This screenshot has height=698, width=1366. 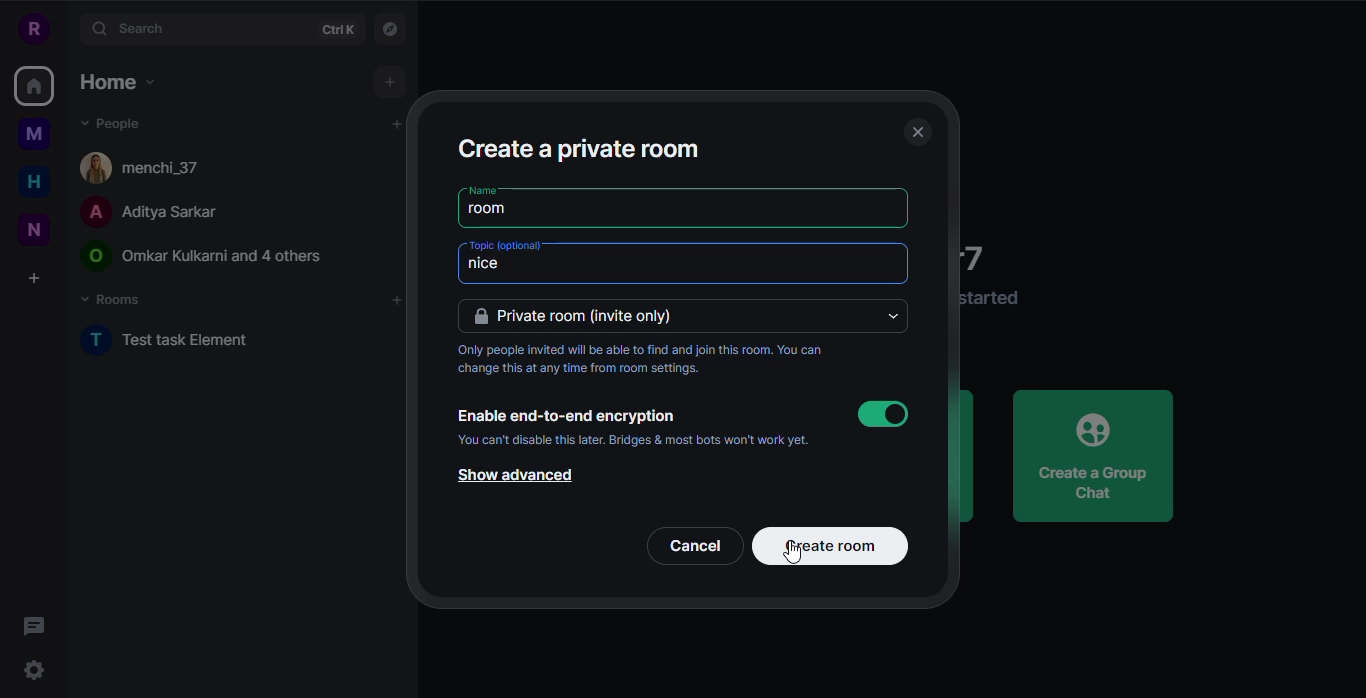 I want to click on private room, so click(x=584, y=317).